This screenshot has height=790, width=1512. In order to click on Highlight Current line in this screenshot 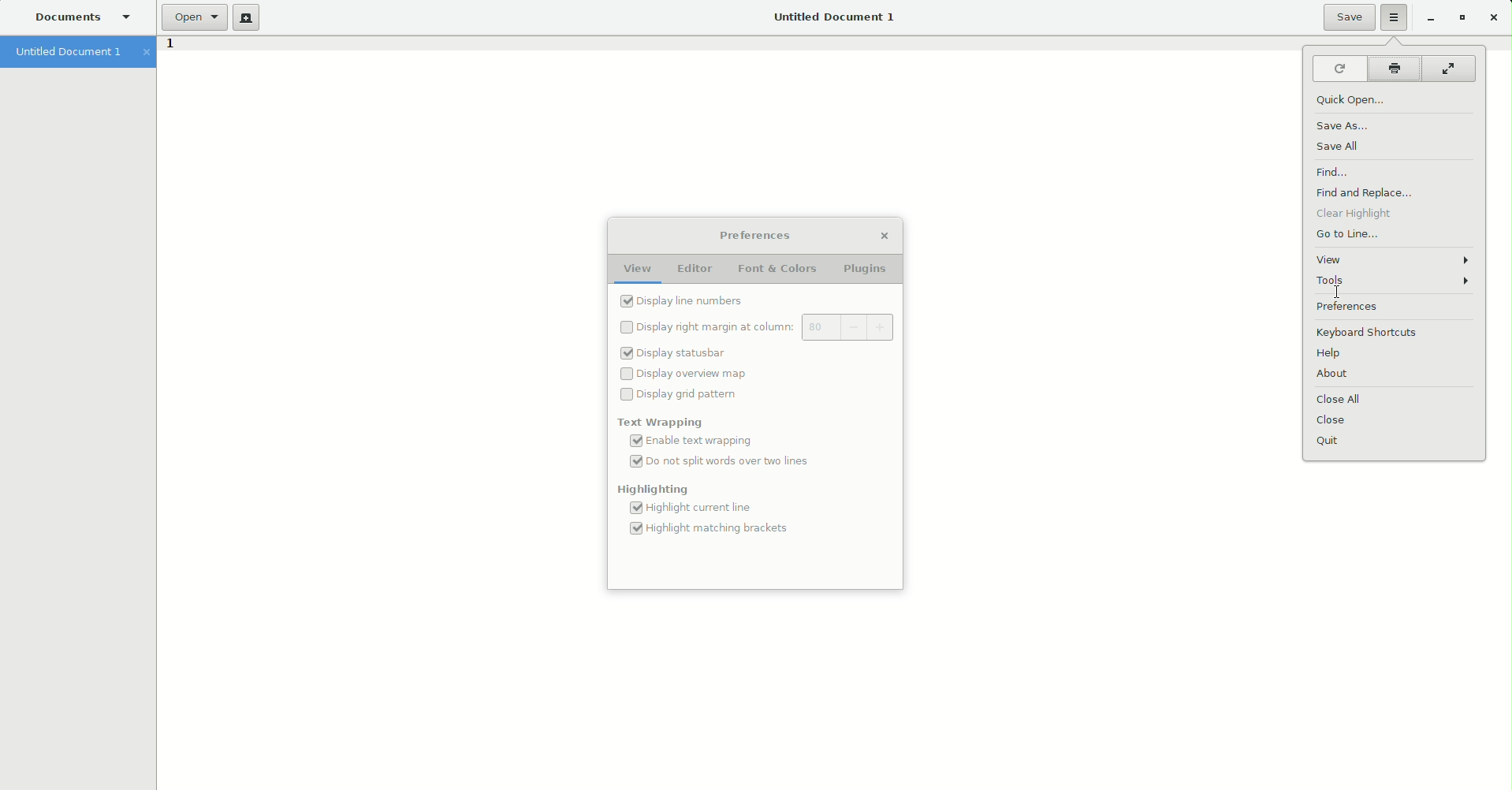, I will do `click(688, 509)`.